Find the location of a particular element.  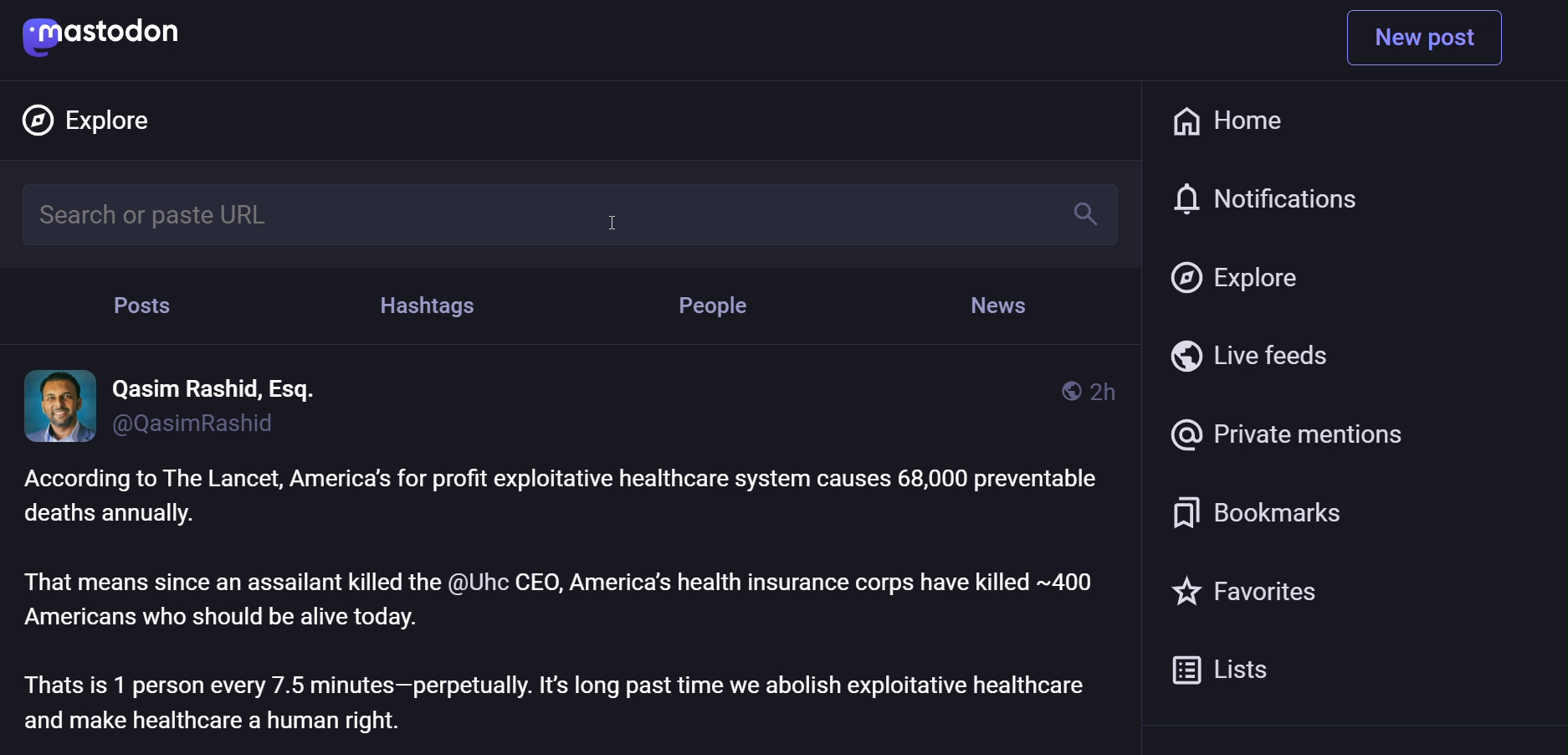

id is located at coordinates (201, 425).